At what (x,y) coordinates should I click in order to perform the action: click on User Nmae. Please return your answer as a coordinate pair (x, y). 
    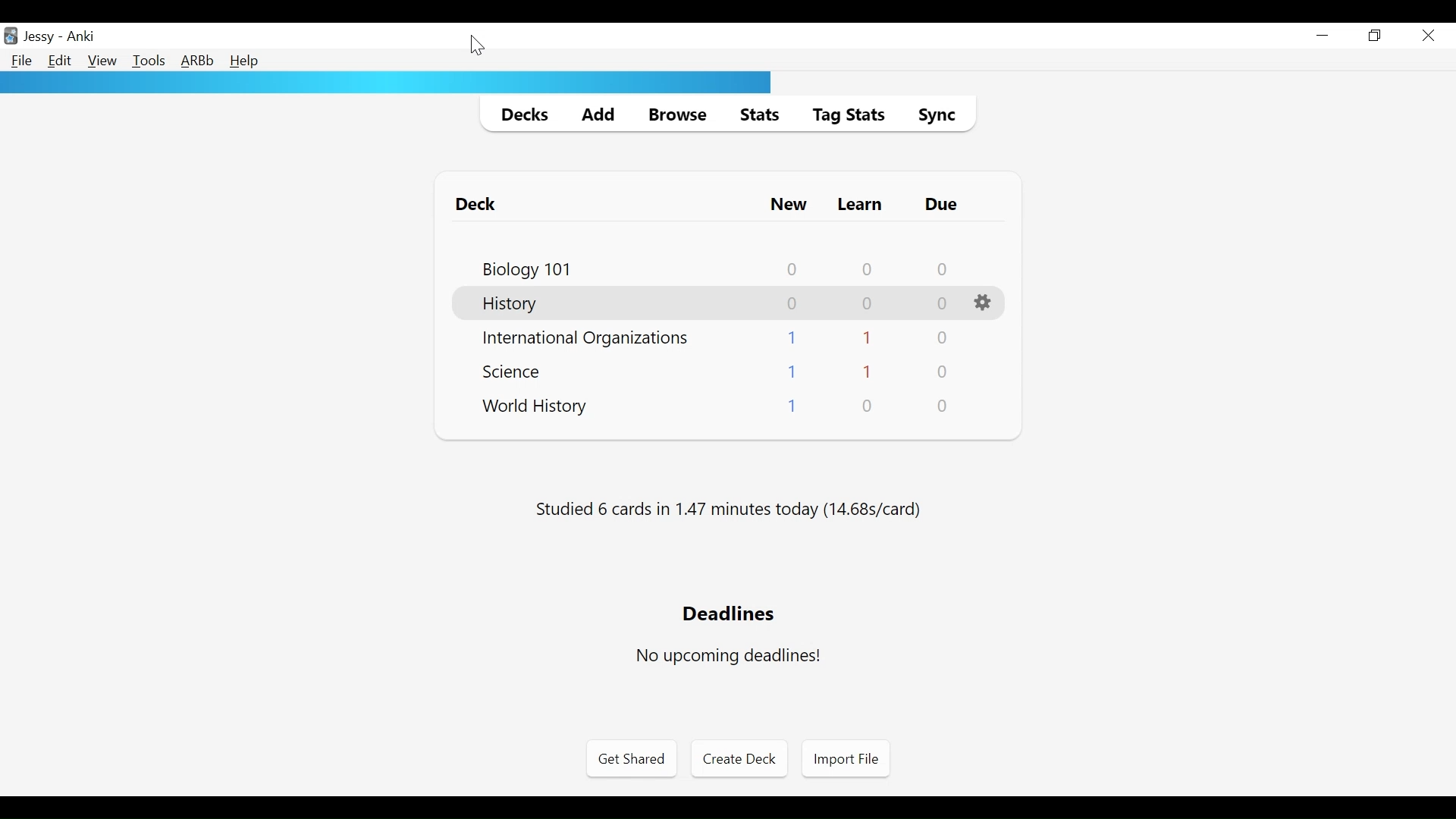
    Looking at the image, I should click on (39, 39).